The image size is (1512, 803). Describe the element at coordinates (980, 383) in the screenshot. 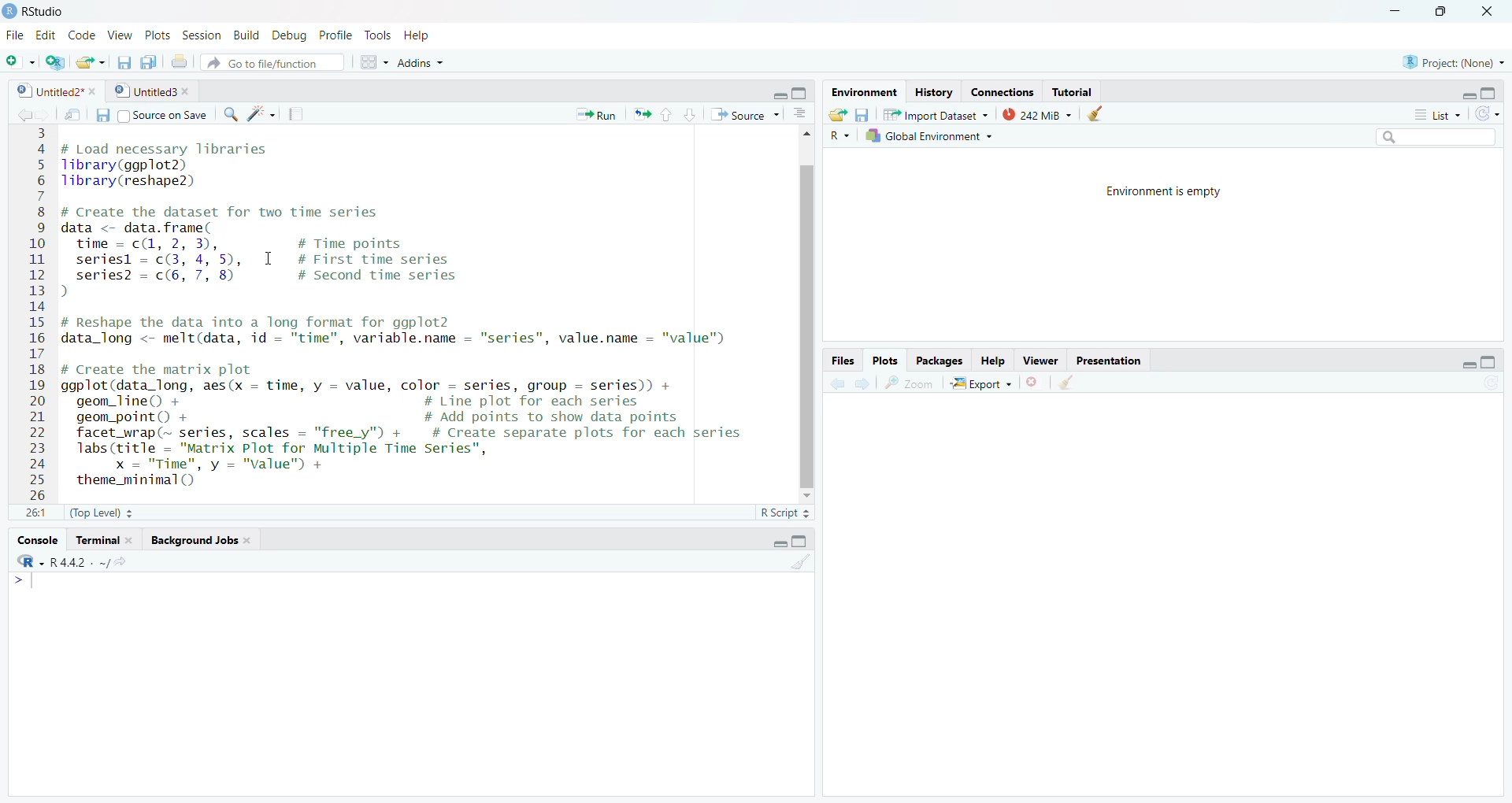

I see `Export` at that location.